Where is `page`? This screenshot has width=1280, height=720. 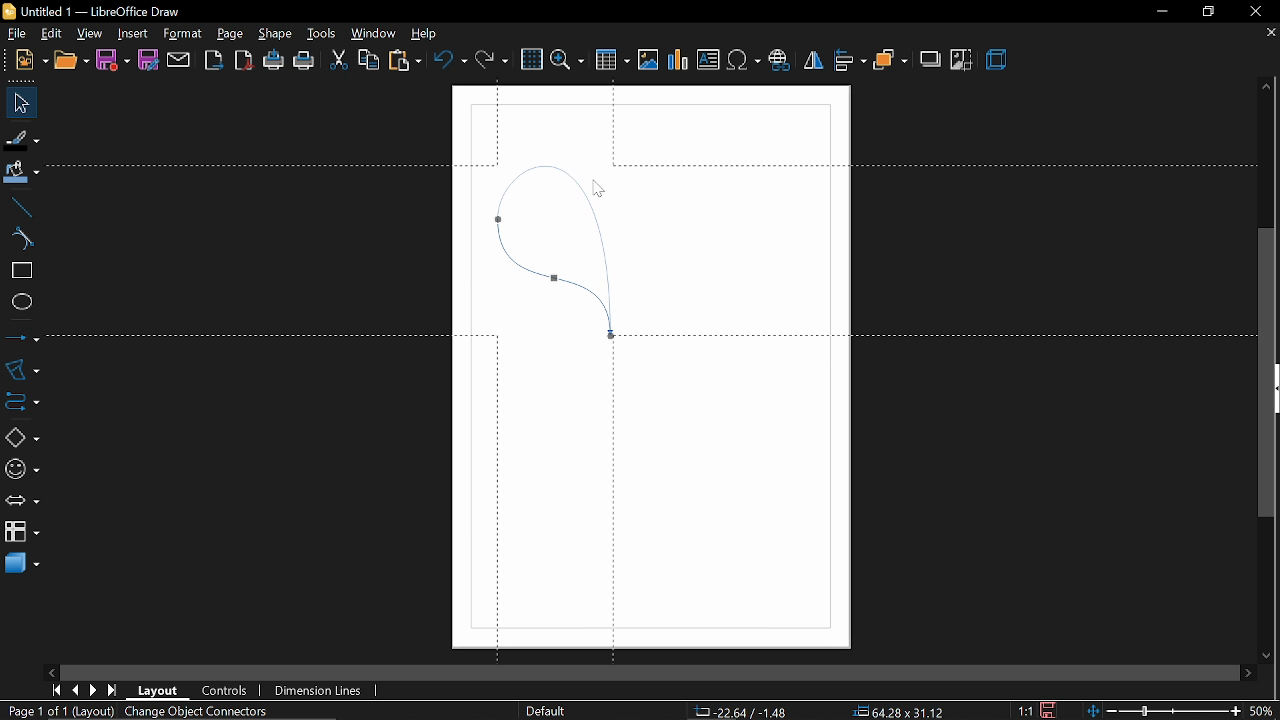
page is located at coordinates (230, 31).